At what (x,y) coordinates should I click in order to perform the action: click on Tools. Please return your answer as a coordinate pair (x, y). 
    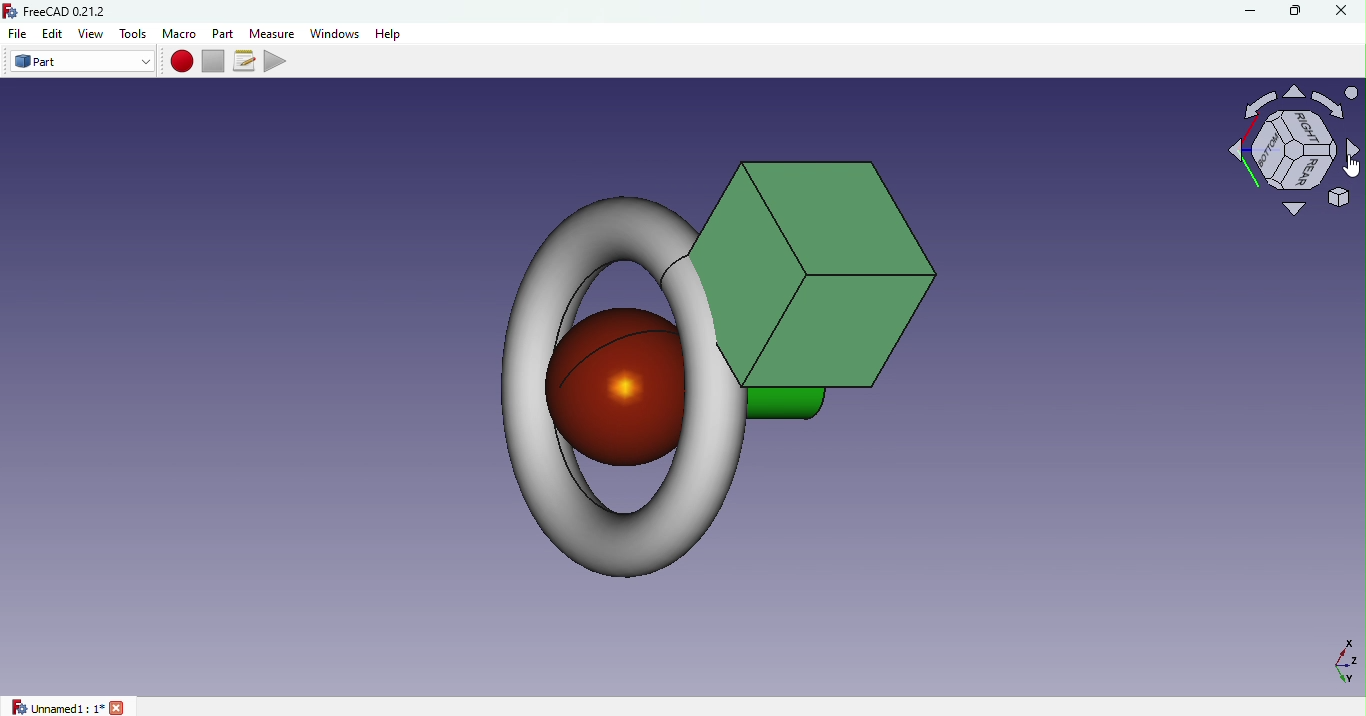
    Looking at the image, I should click on (134, 34).